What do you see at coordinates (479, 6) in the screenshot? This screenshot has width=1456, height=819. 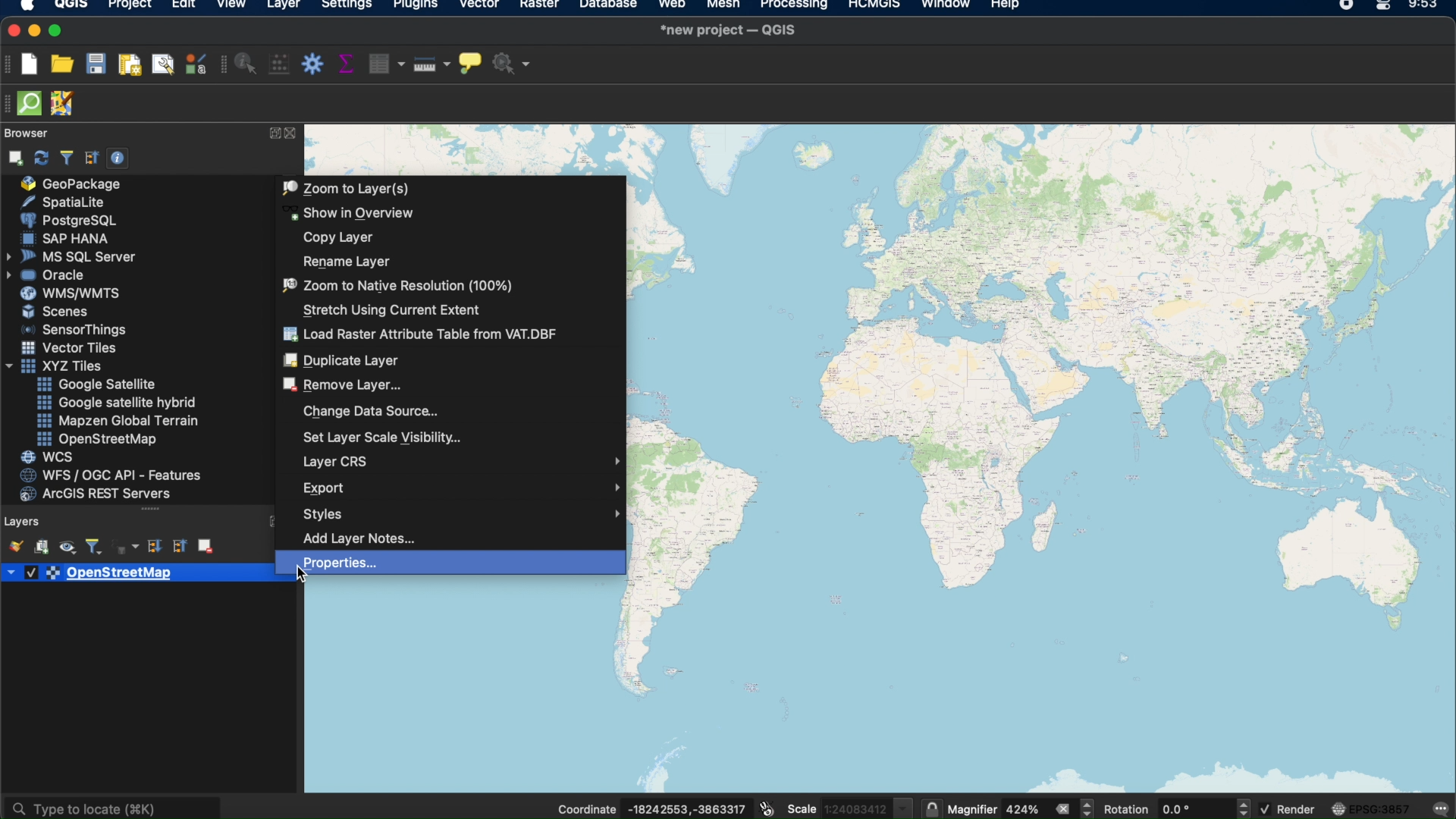 I see `vector` at bounding box center [479, 6].